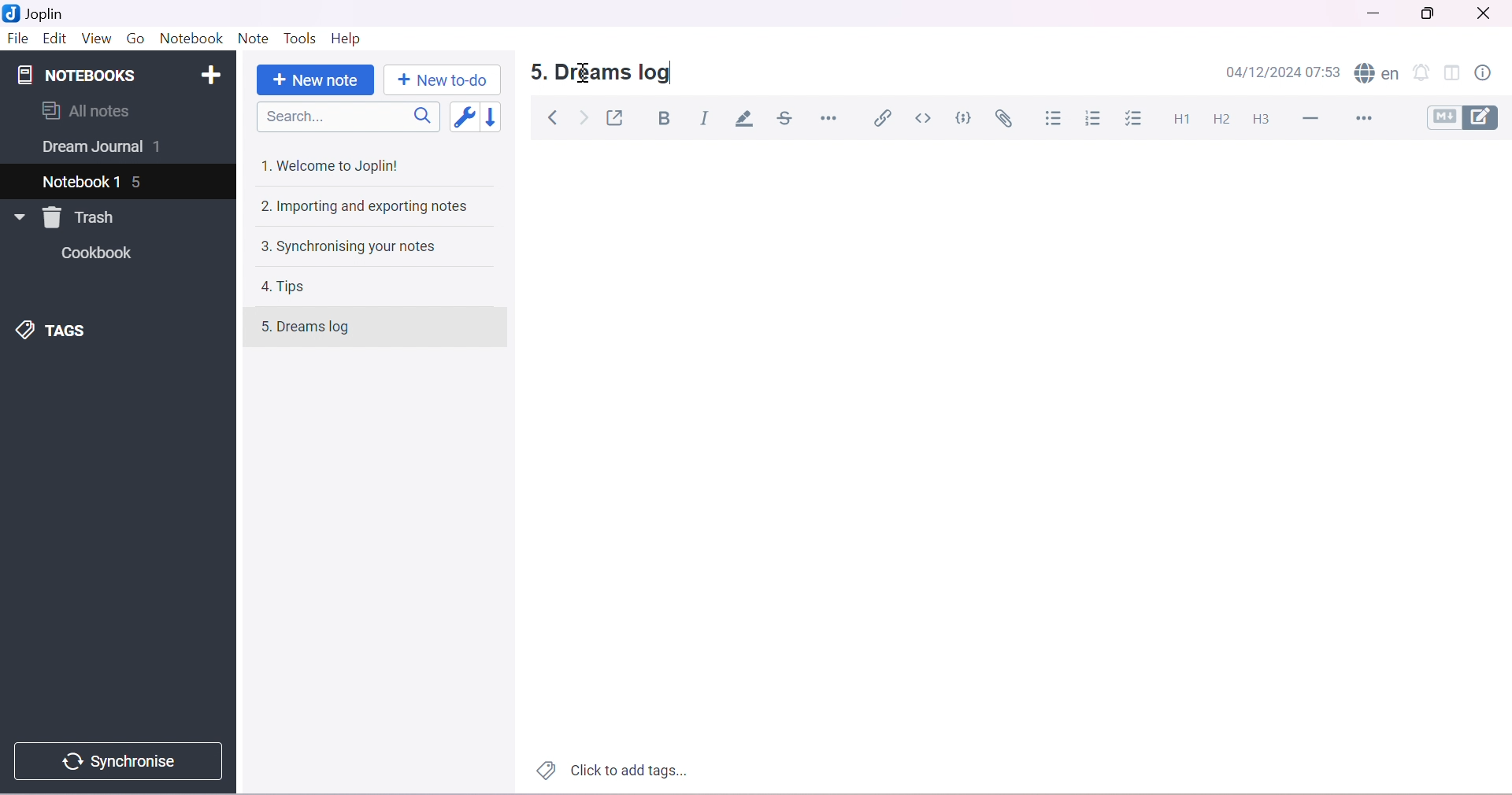 The width and height of the screenshot is (1512, 795). What do you see at coordinates (1314, 119) in the screenshot?
I see `Horizontal Line` at bounding box center [1314, 119].